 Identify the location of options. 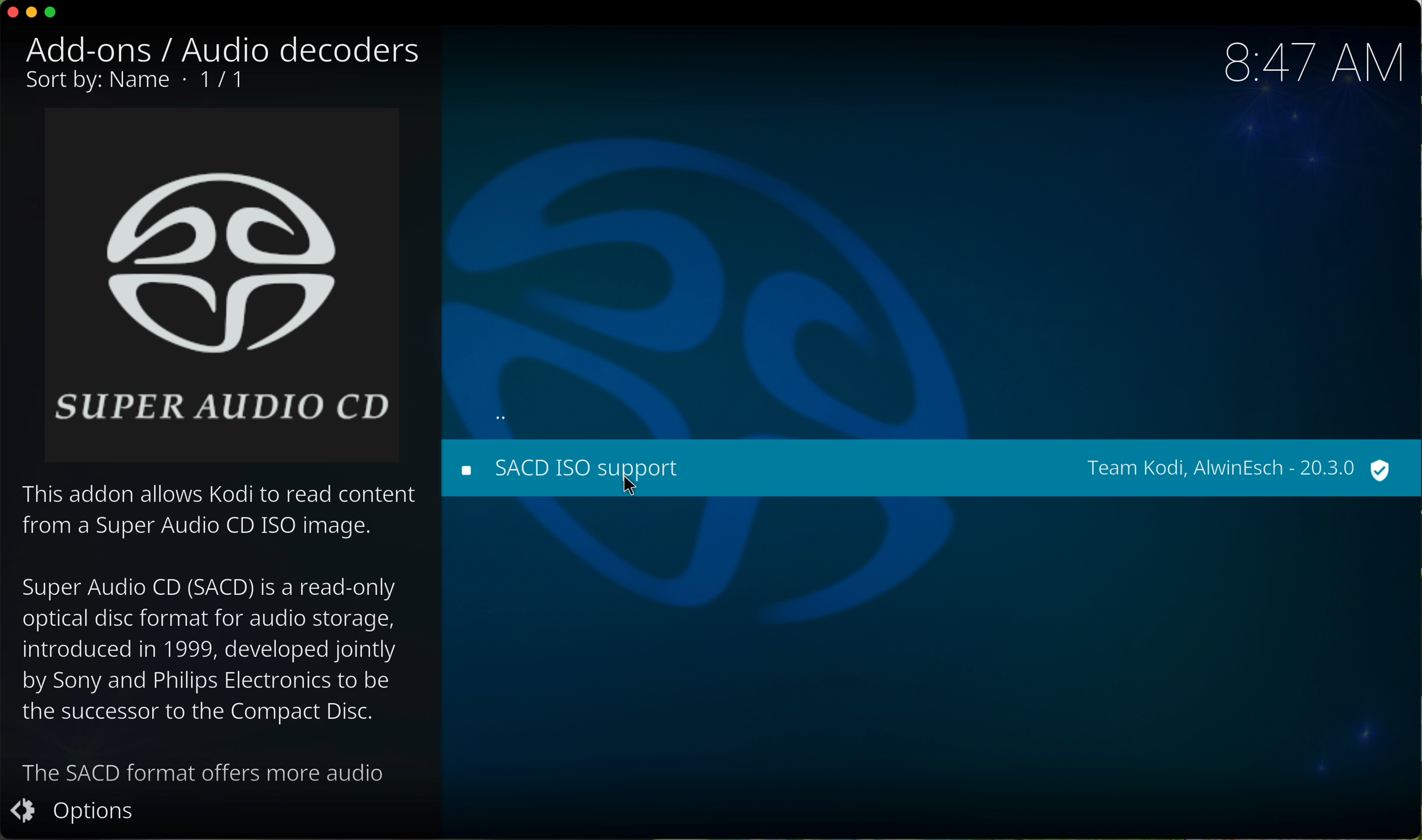
(72, 815).